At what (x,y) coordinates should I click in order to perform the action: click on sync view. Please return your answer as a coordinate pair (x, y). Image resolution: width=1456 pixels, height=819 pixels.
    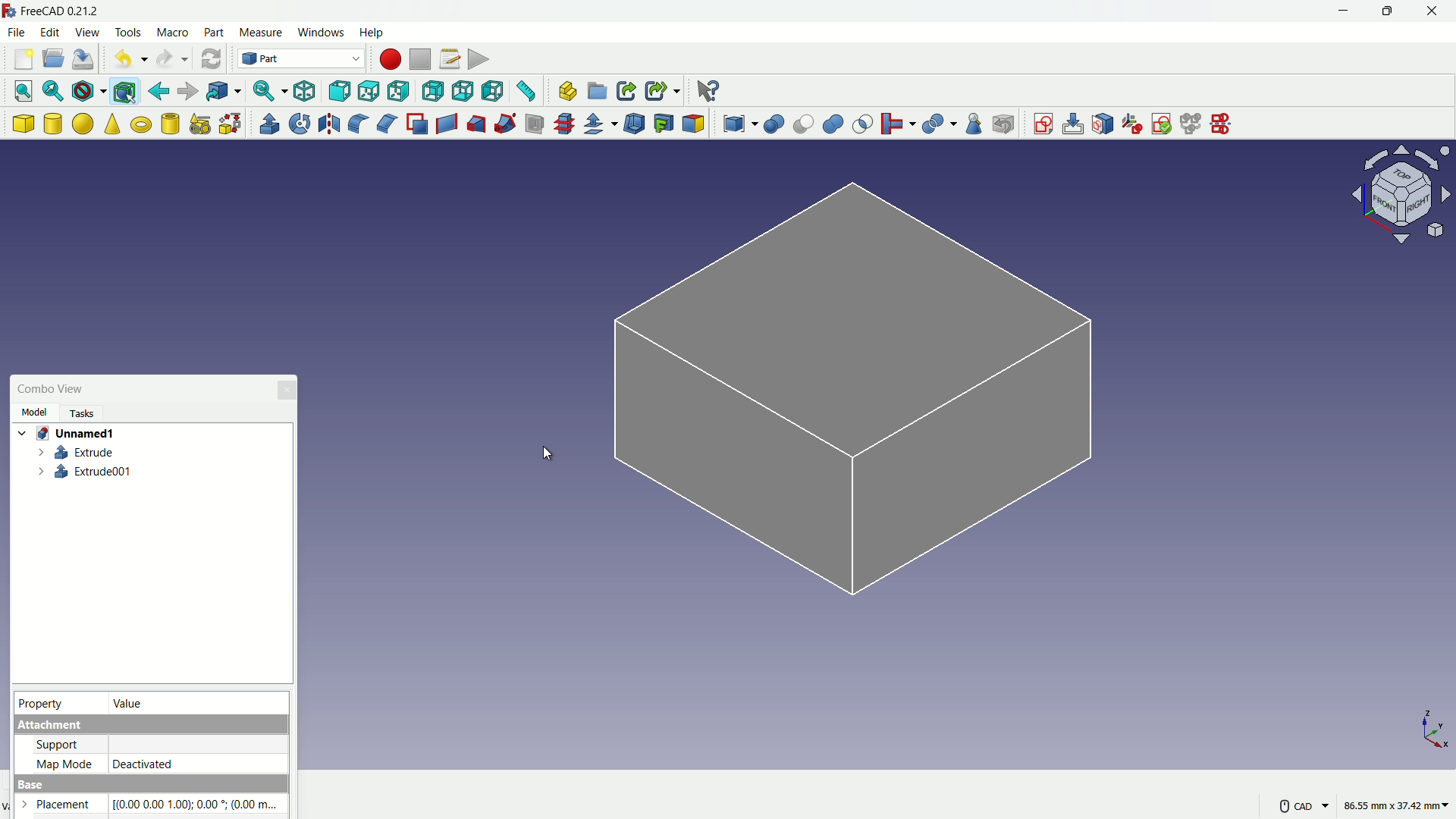
    Looking at the image, I should click on (268, 89).